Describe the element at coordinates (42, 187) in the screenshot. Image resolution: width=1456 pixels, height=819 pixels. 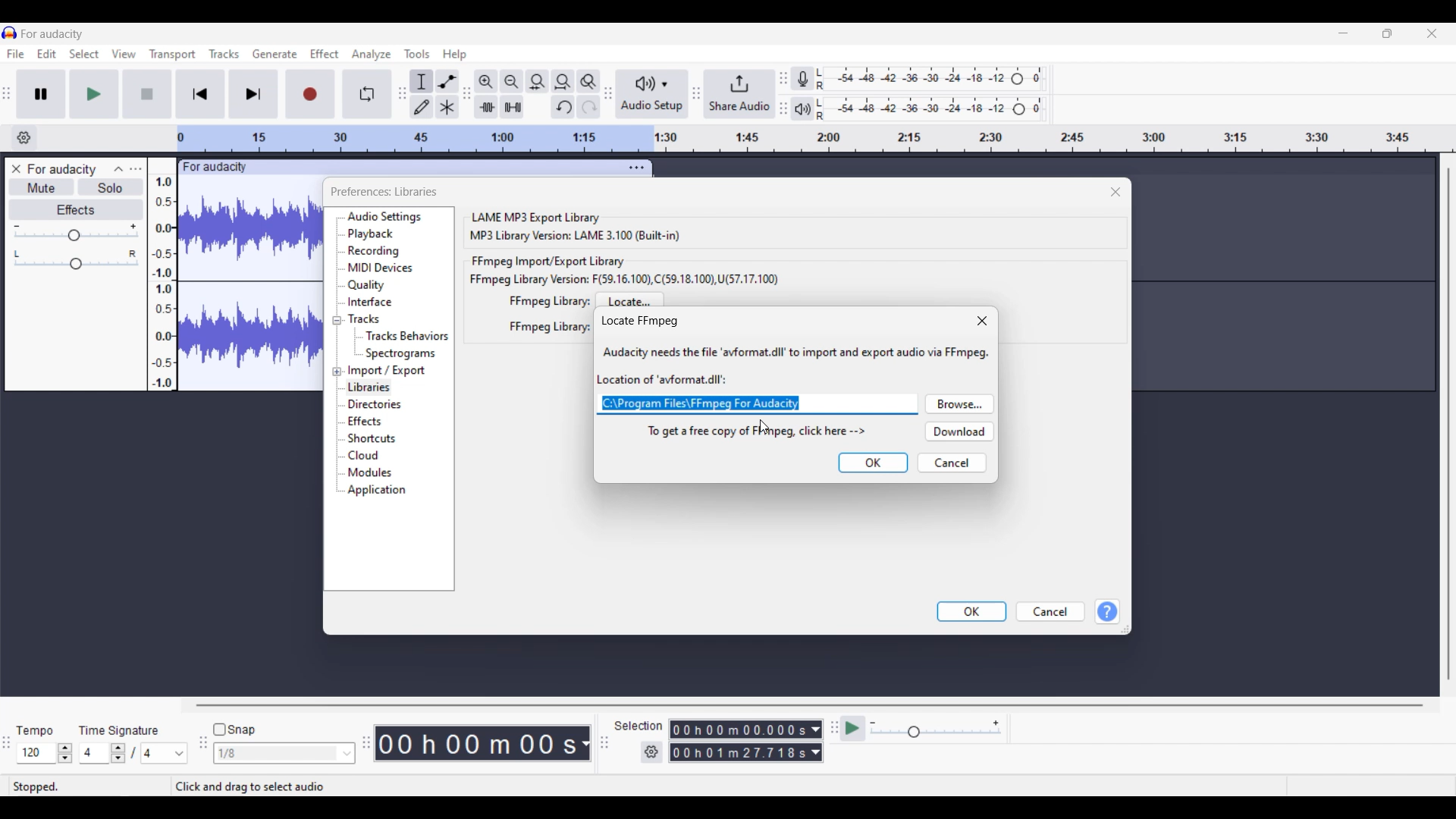
I see `Mute` at that location.